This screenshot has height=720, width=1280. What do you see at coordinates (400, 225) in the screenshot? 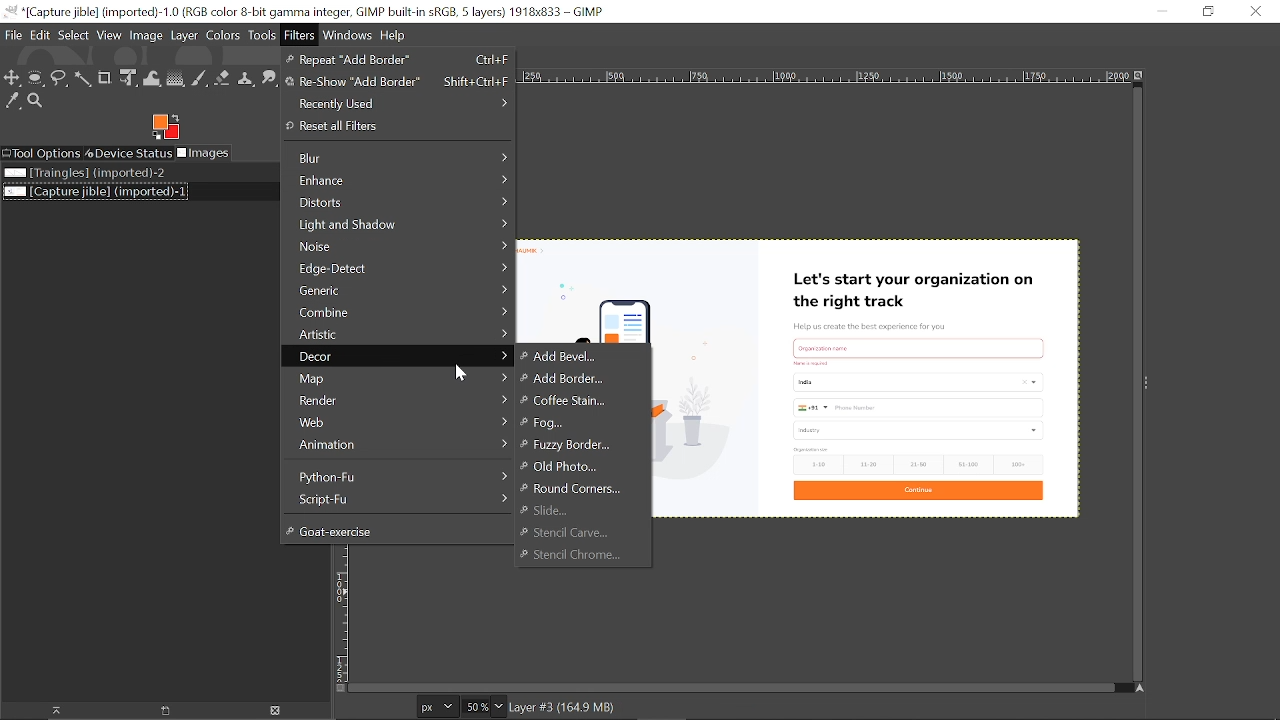
I see `Light and shadow` at bounding box center [400, 225].